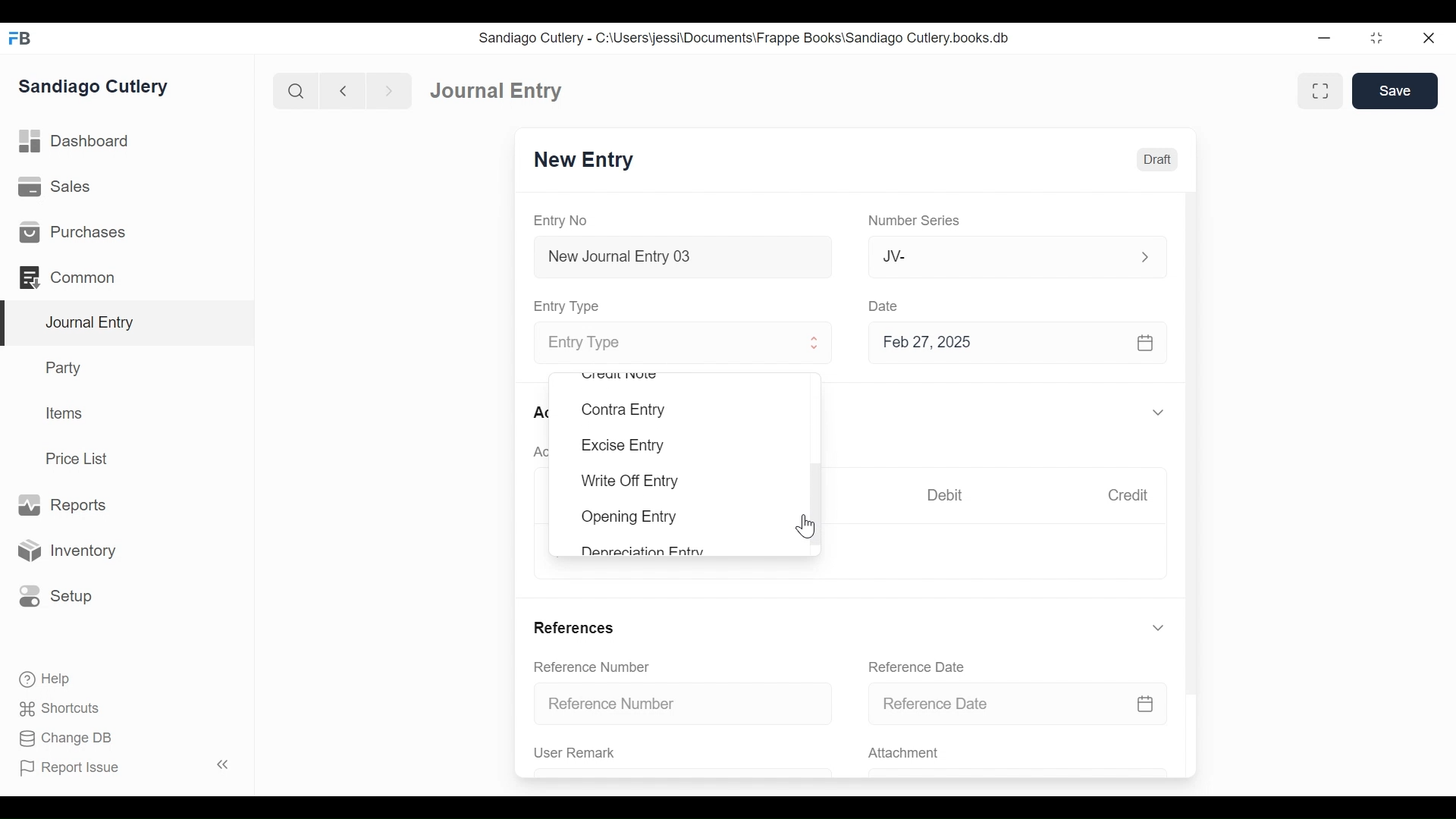 This screenshot has width=1456, height=819. I want to click on User Remark, so click(584, 754).